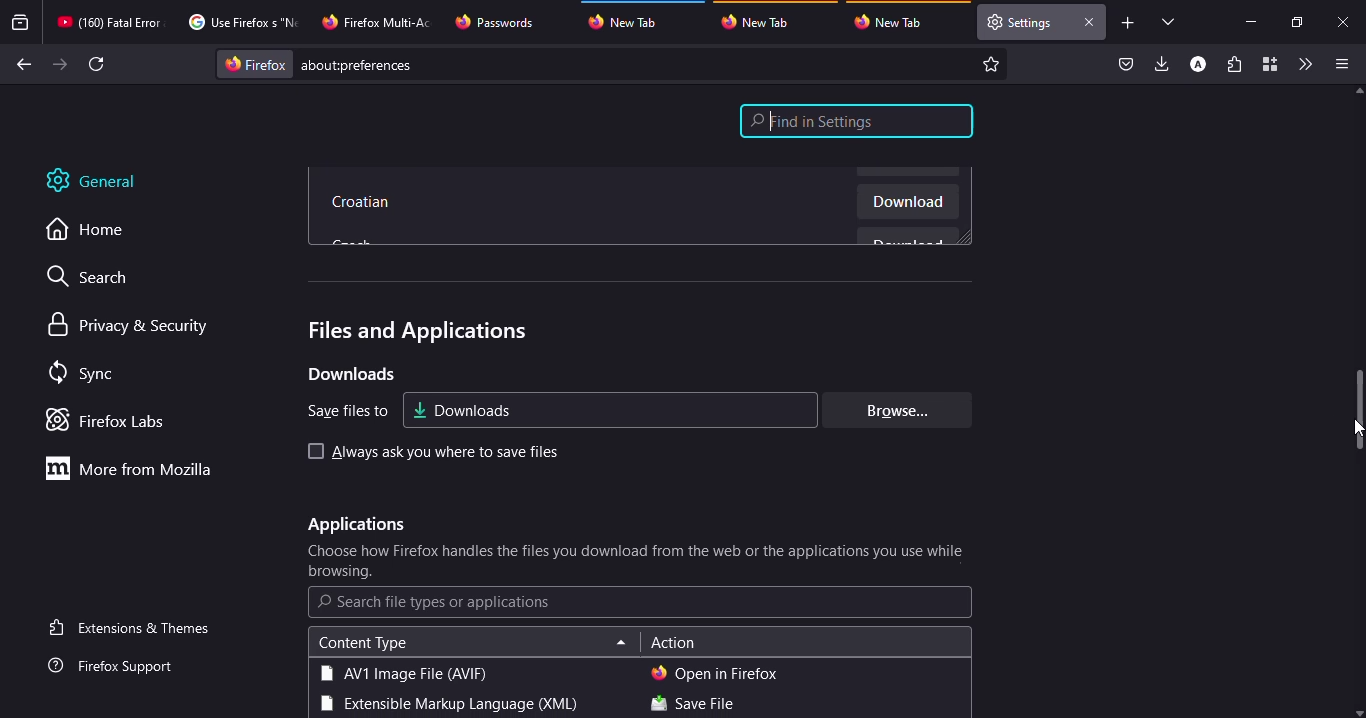  Describe the element at coordinates (462, 409) in the screenshot. I see `downloads` at that location.